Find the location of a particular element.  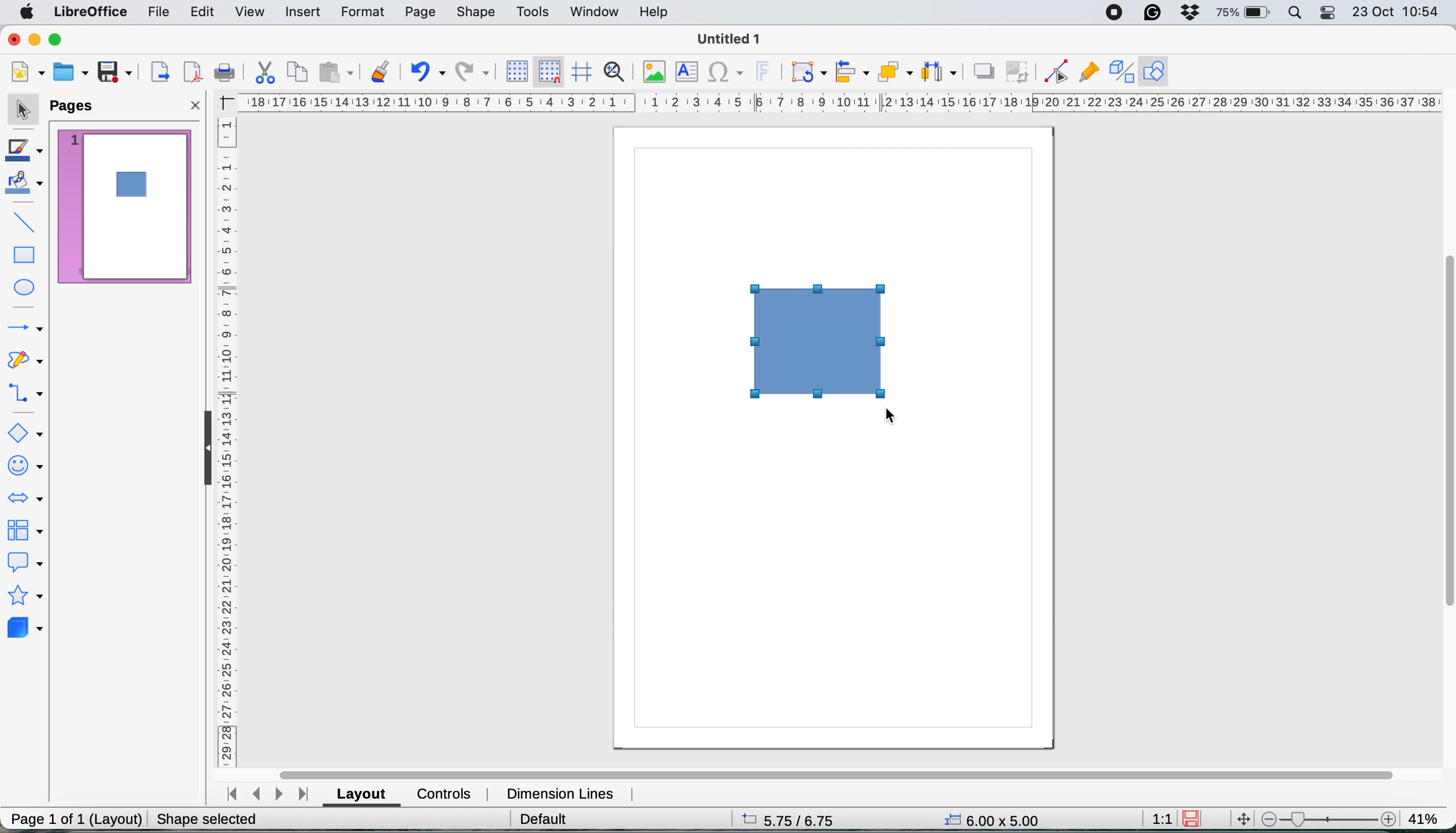

dropbox is located at coordinates (1189, 12).